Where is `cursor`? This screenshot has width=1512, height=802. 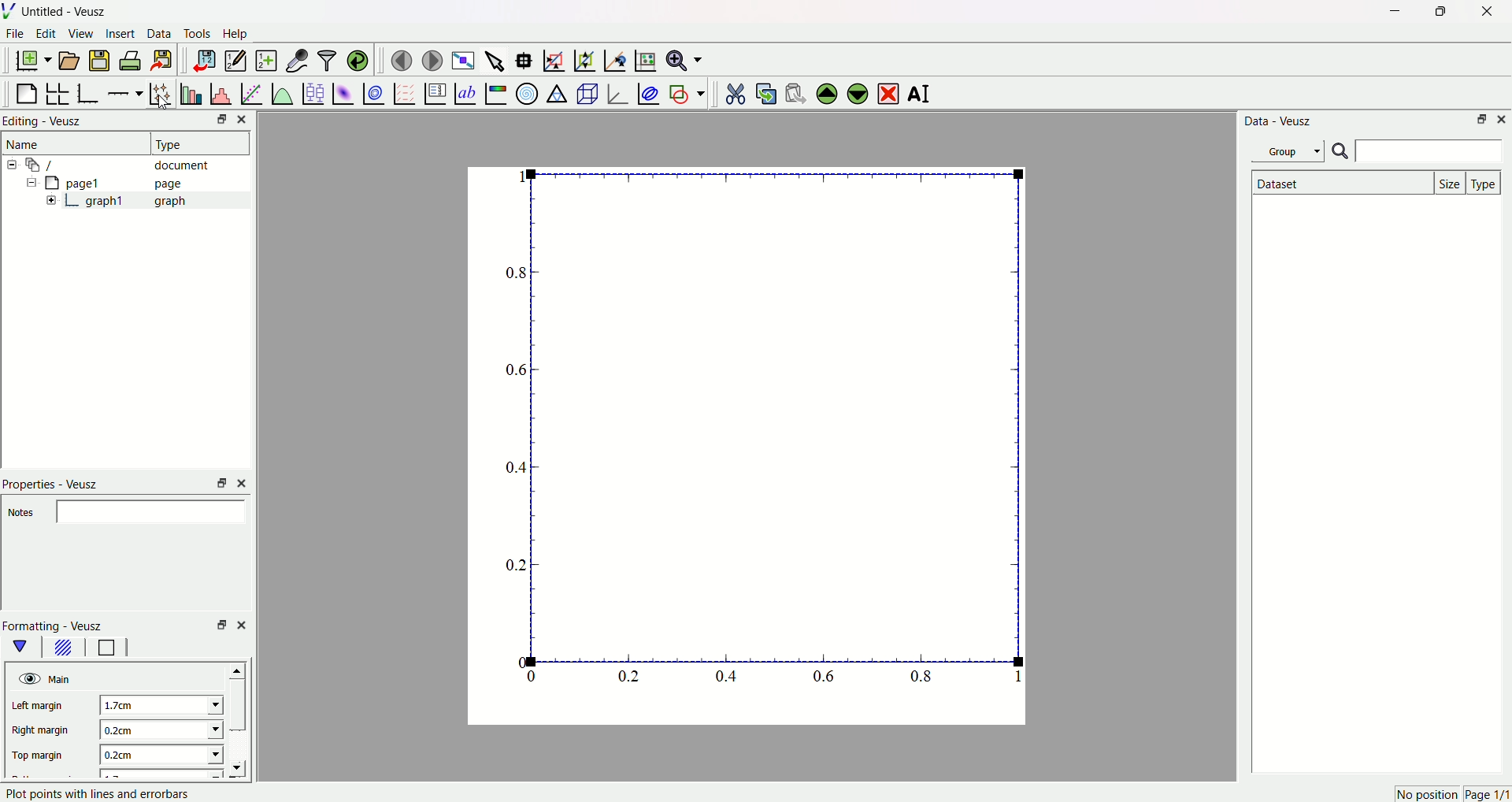
cursor is located at coordinates (166, 103).